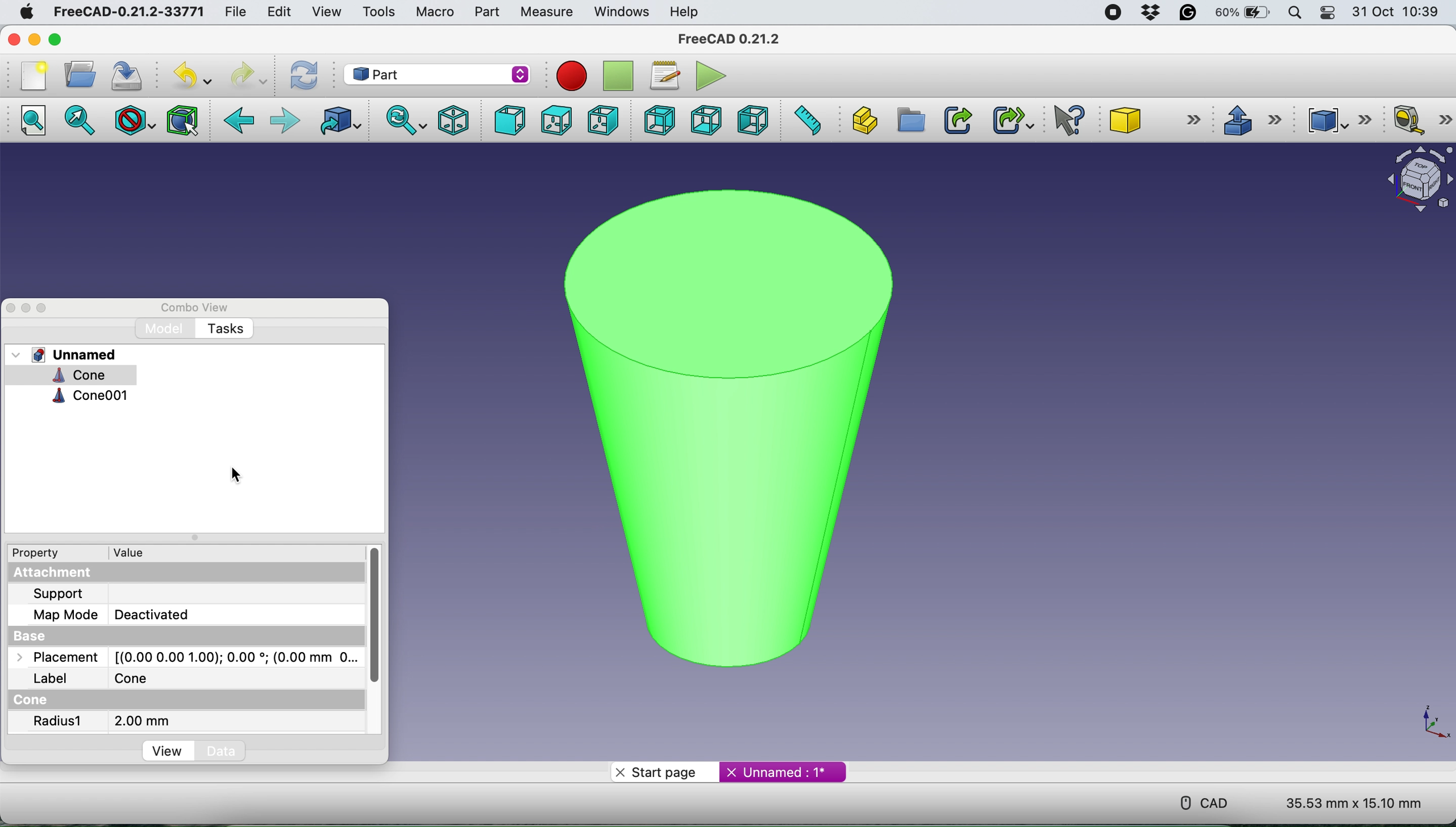 The width and height of the screenshot is (1456, 827). I want to click on close, so click(11, 307).